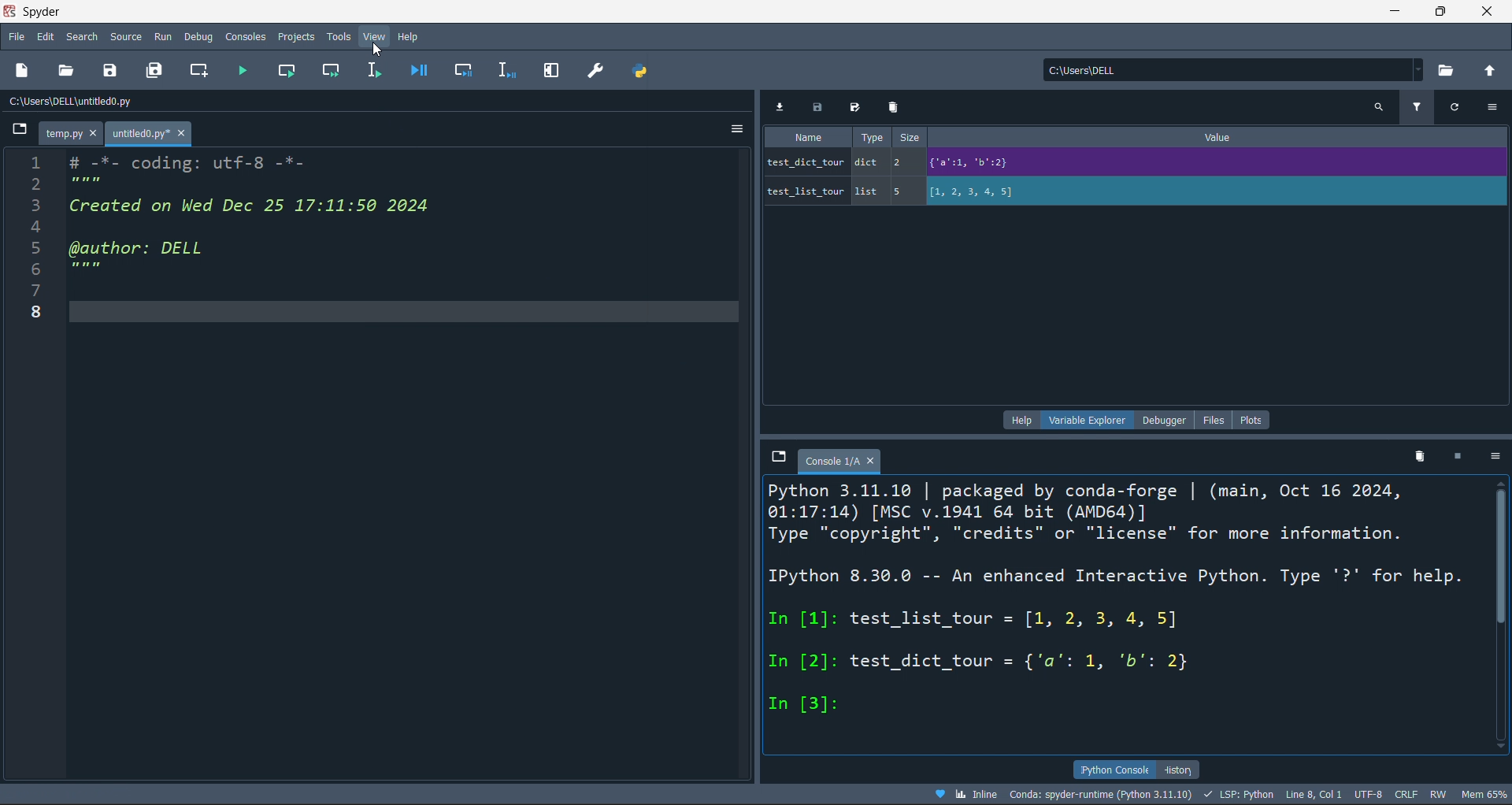  Describe the element at coordinates (380, 48) in the screenshot. I see `cursor` at that location.